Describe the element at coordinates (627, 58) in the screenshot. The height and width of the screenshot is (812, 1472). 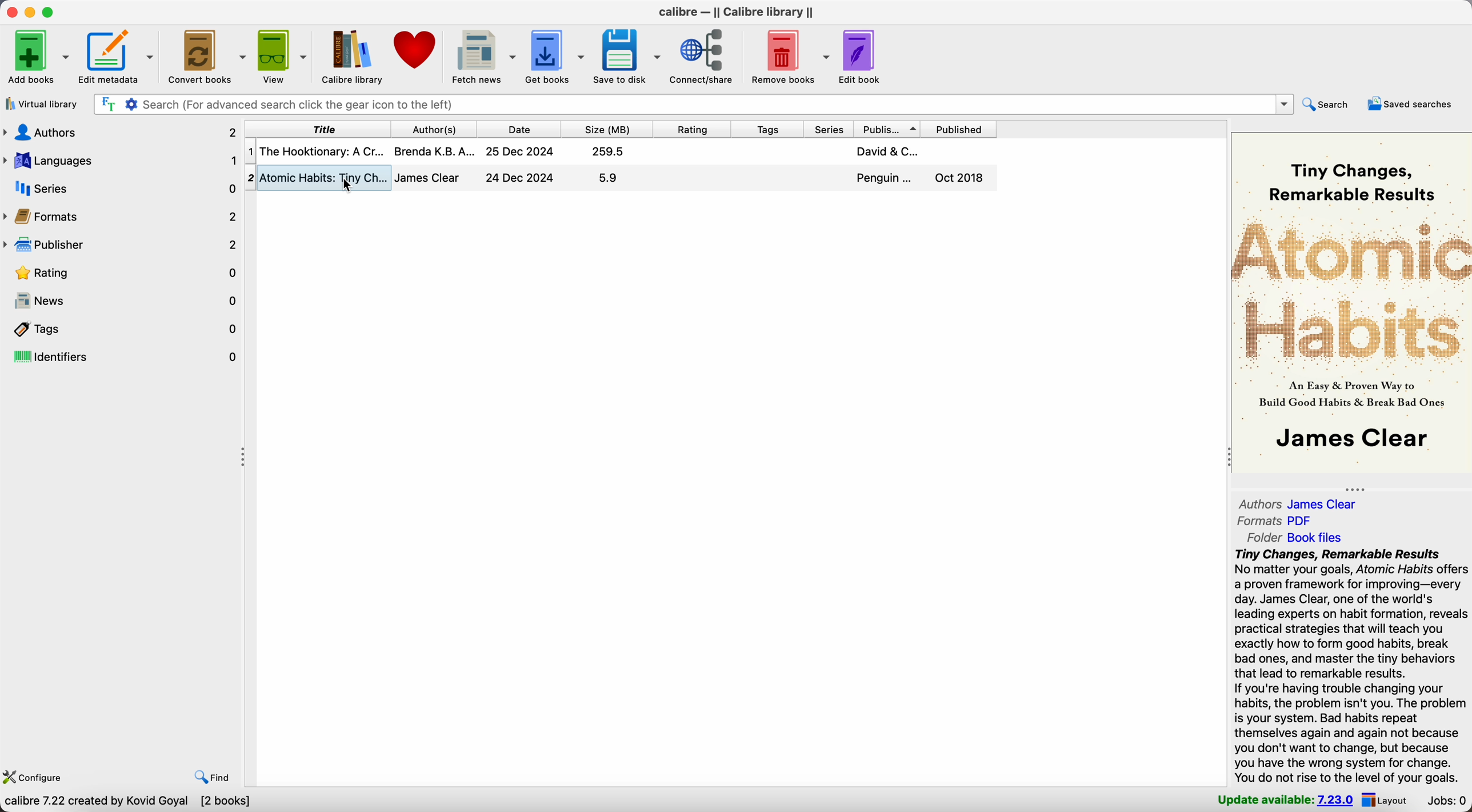
I see `save to disk` at that location.